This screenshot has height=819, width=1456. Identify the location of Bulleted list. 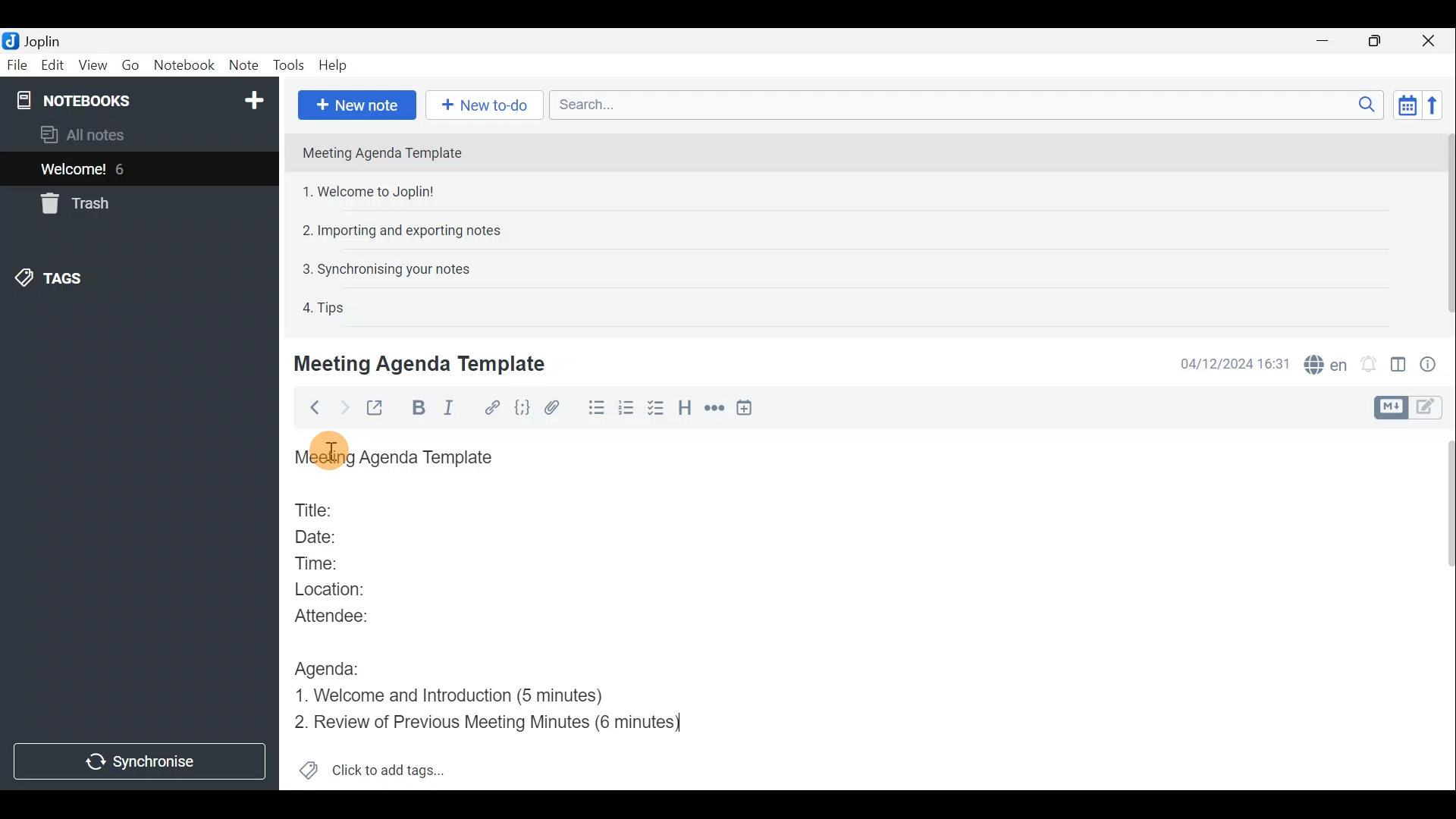
(595, 408).